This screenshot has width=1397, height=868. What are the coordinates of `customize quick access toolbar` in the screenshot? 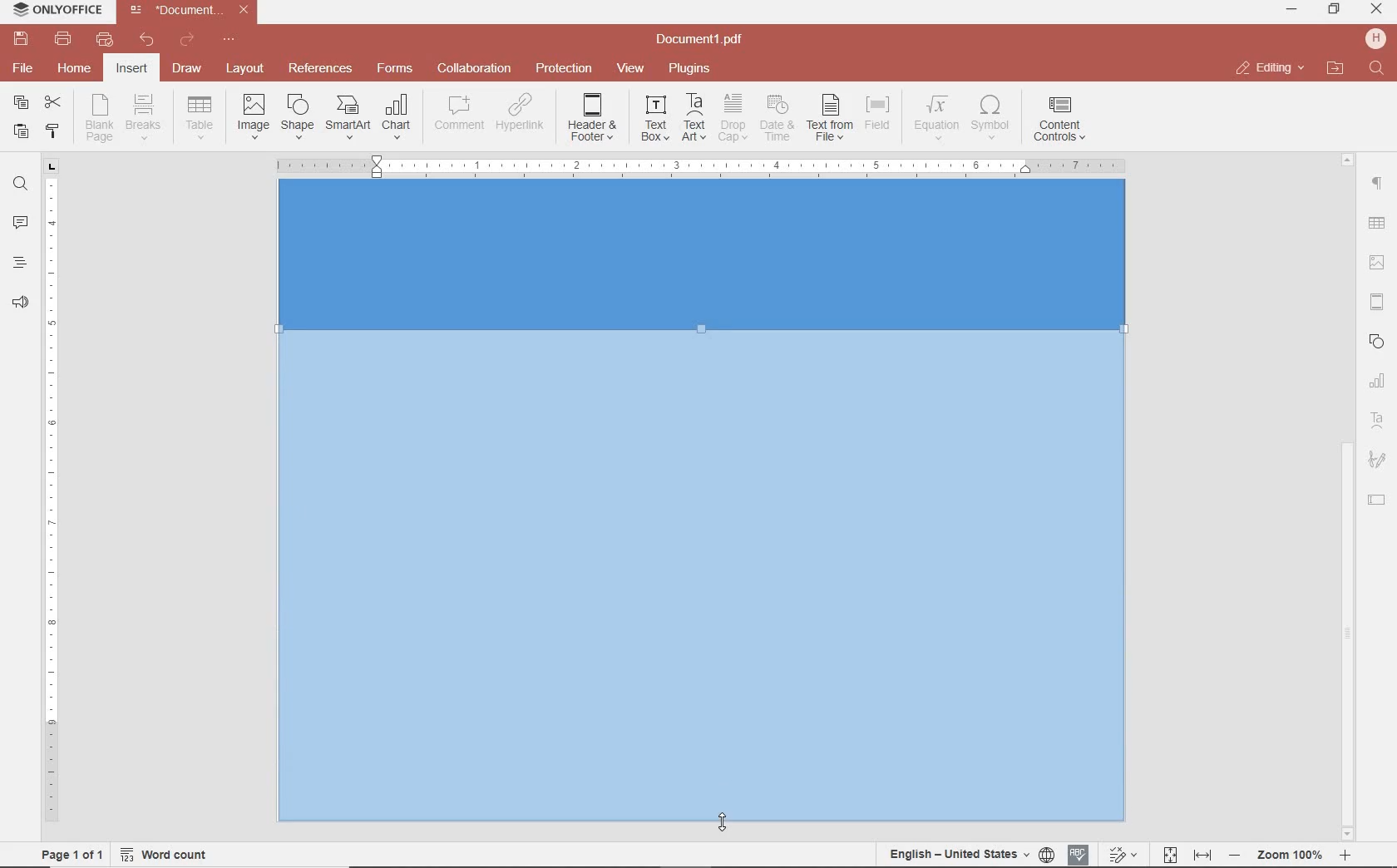 It's located at (229, 40).